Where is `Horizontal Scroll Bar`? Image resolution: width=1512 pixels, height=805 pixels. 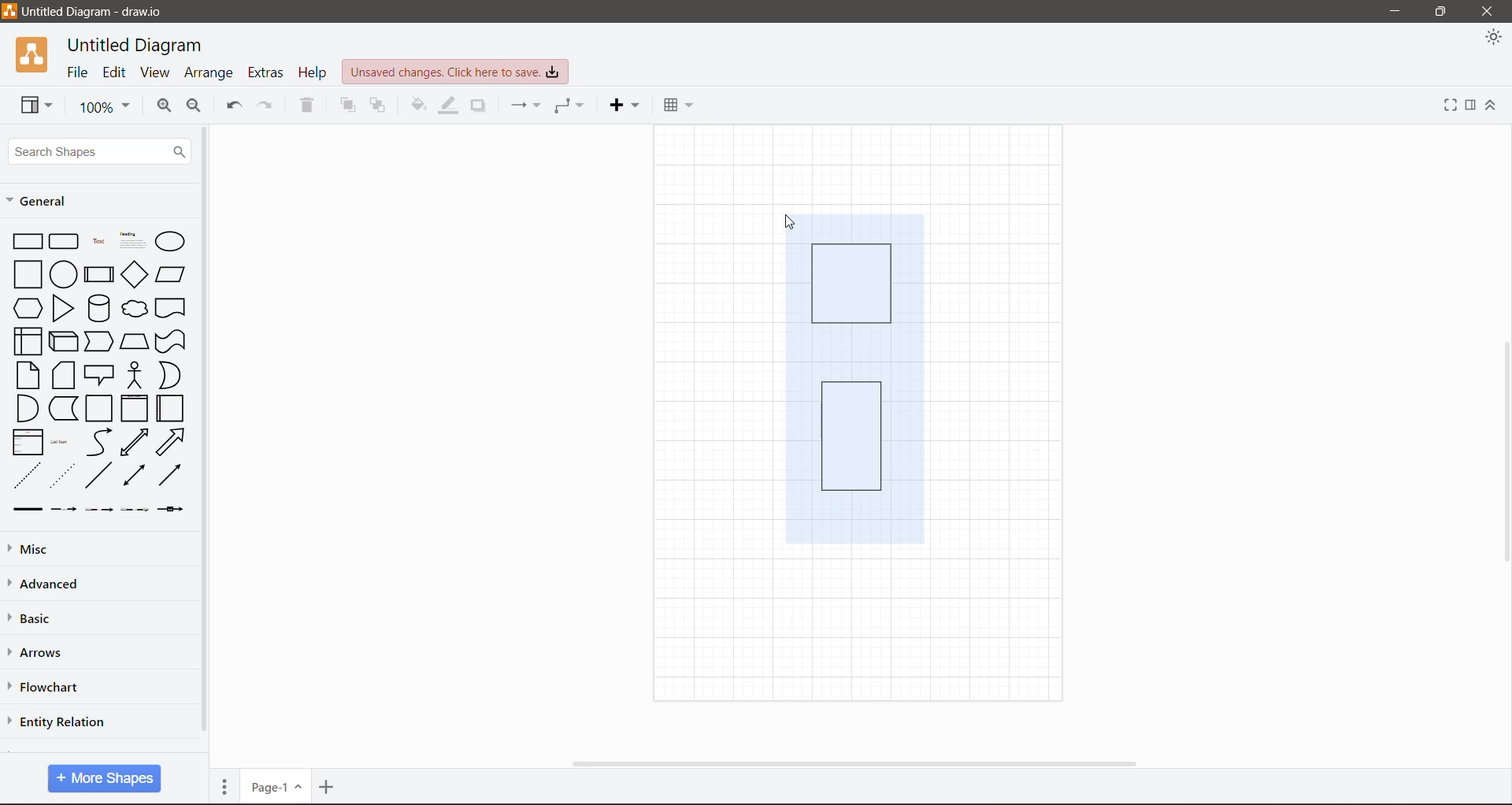 Horizontal Scroll Bar is located at coordinates (861, 764).